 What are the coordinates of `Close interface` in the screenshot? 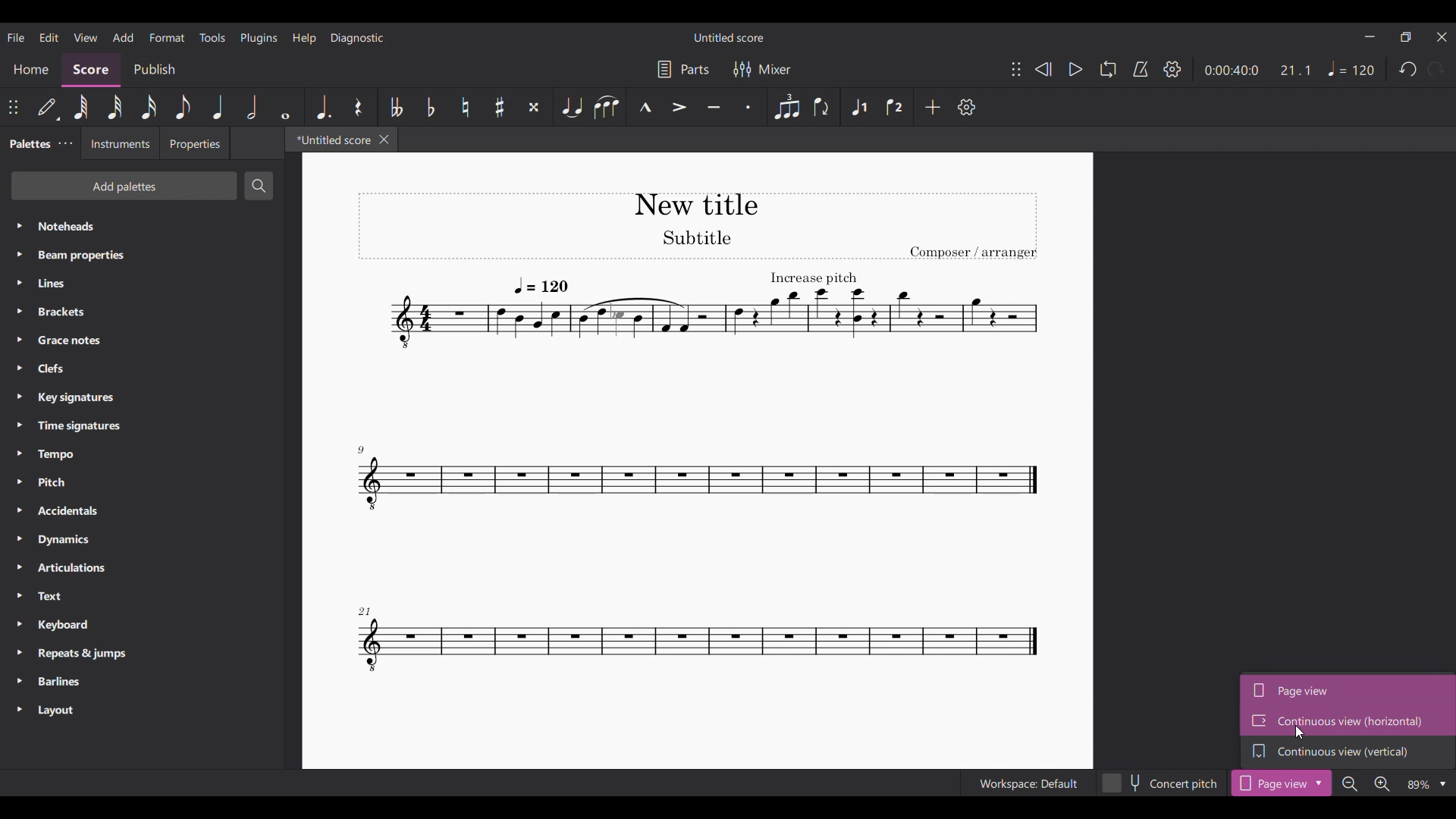 It's located at (1442, 36).